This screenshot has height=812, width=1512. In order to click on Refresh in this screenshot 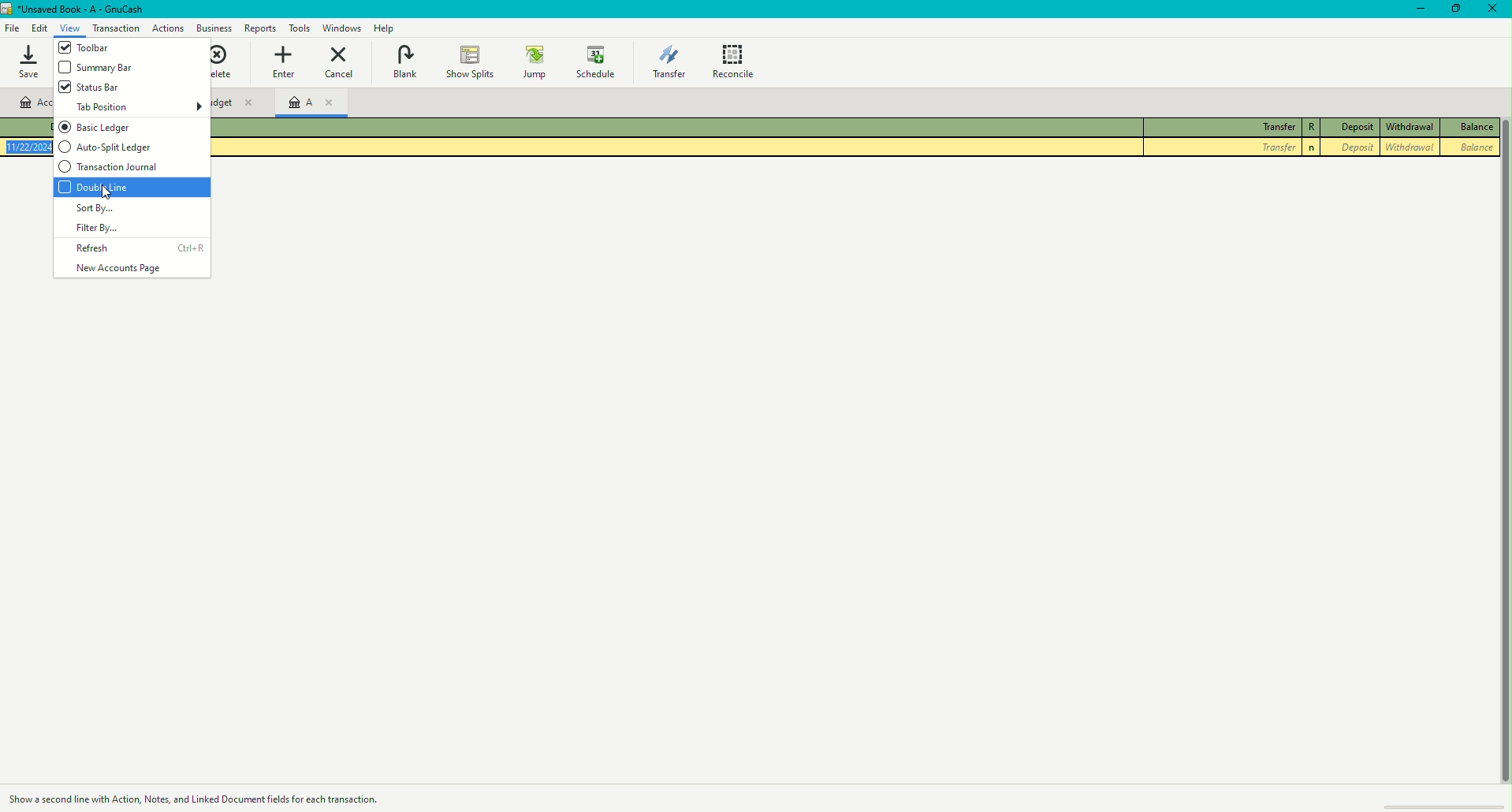, I will do `click(140, 247)`.